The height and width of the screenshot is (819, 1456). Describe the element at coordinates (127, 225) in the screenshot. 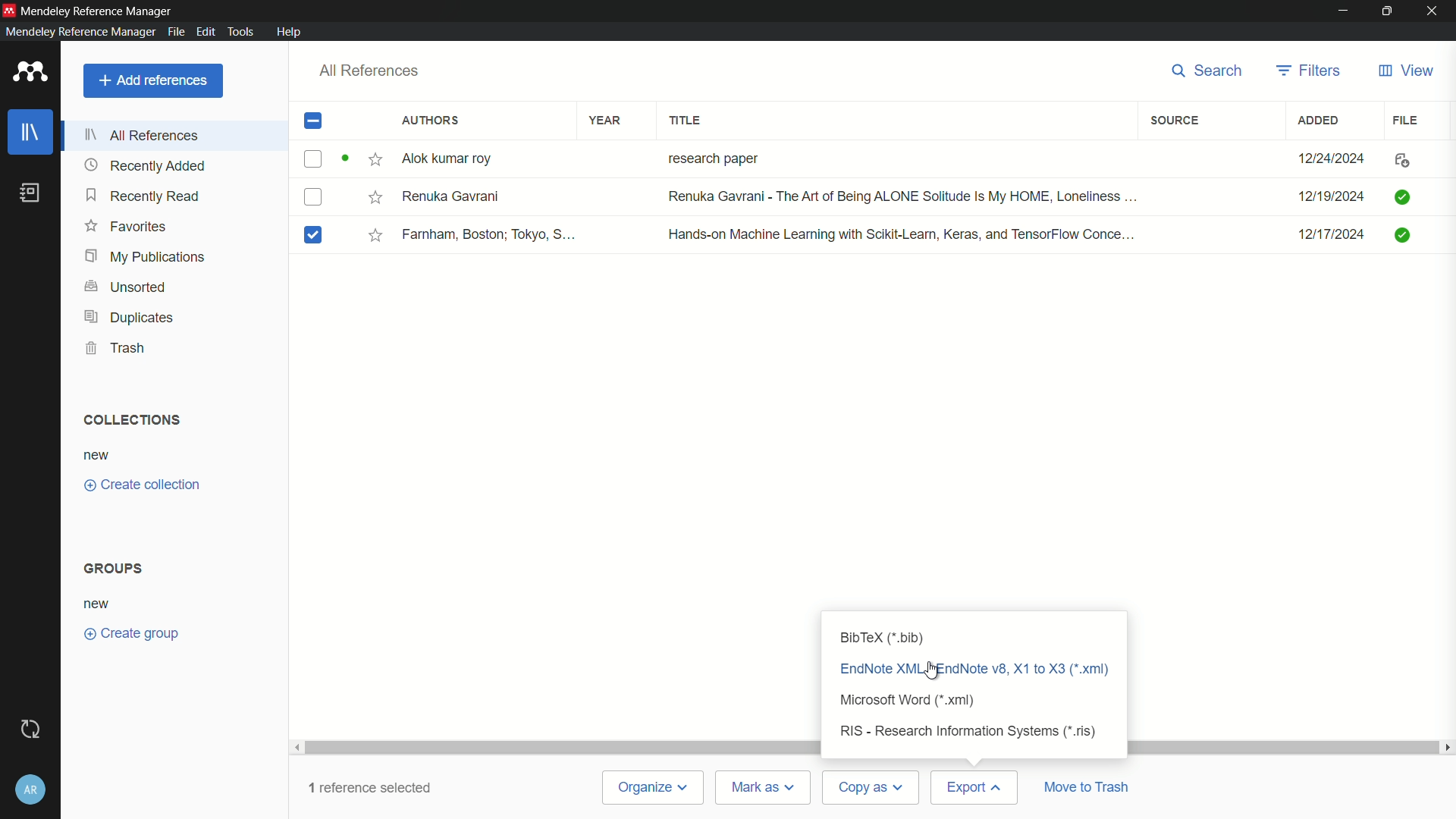

I see `favorites` at that location.